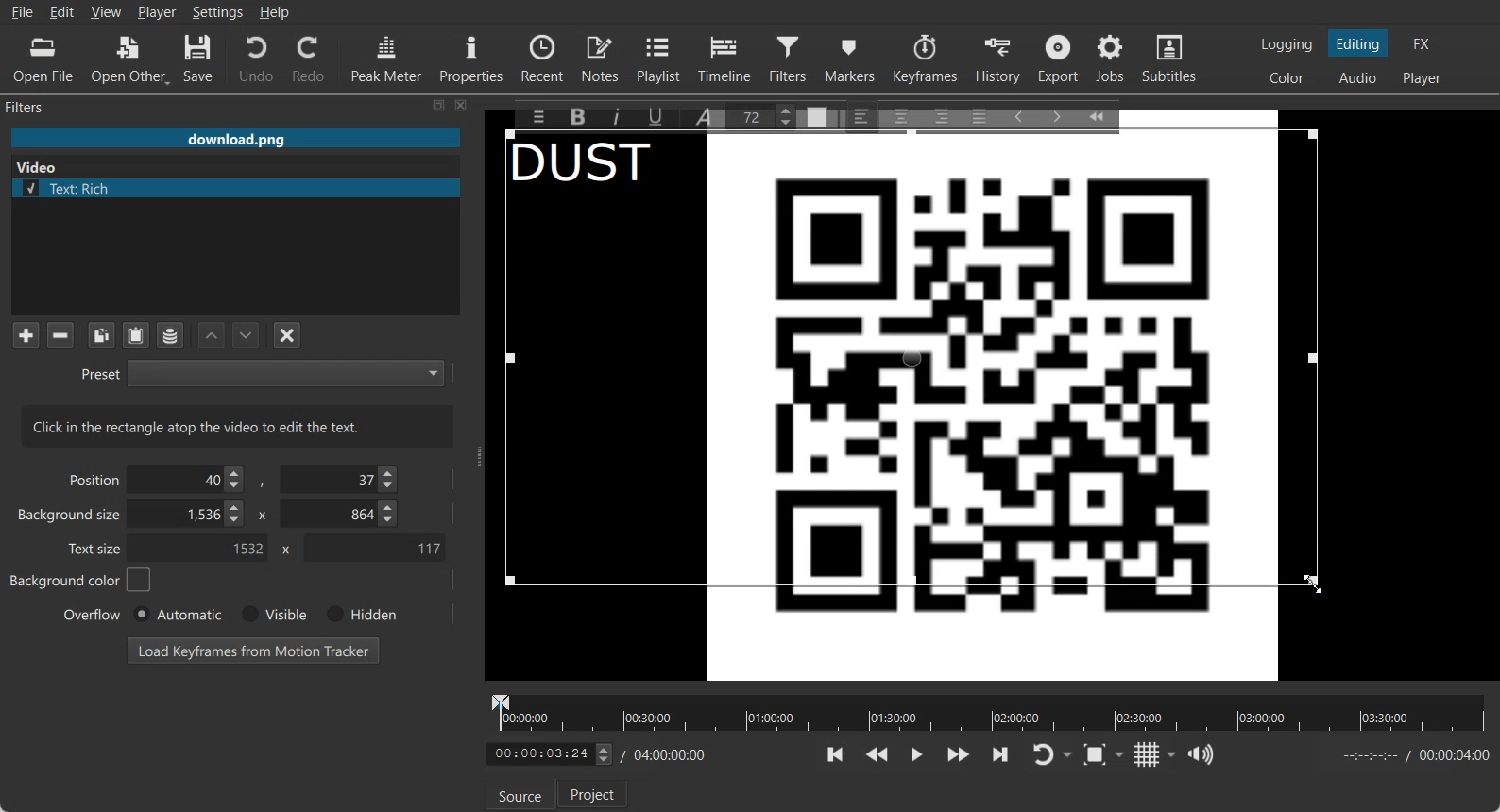  I want to click on Toggle Zoom, so click(1097, 755).